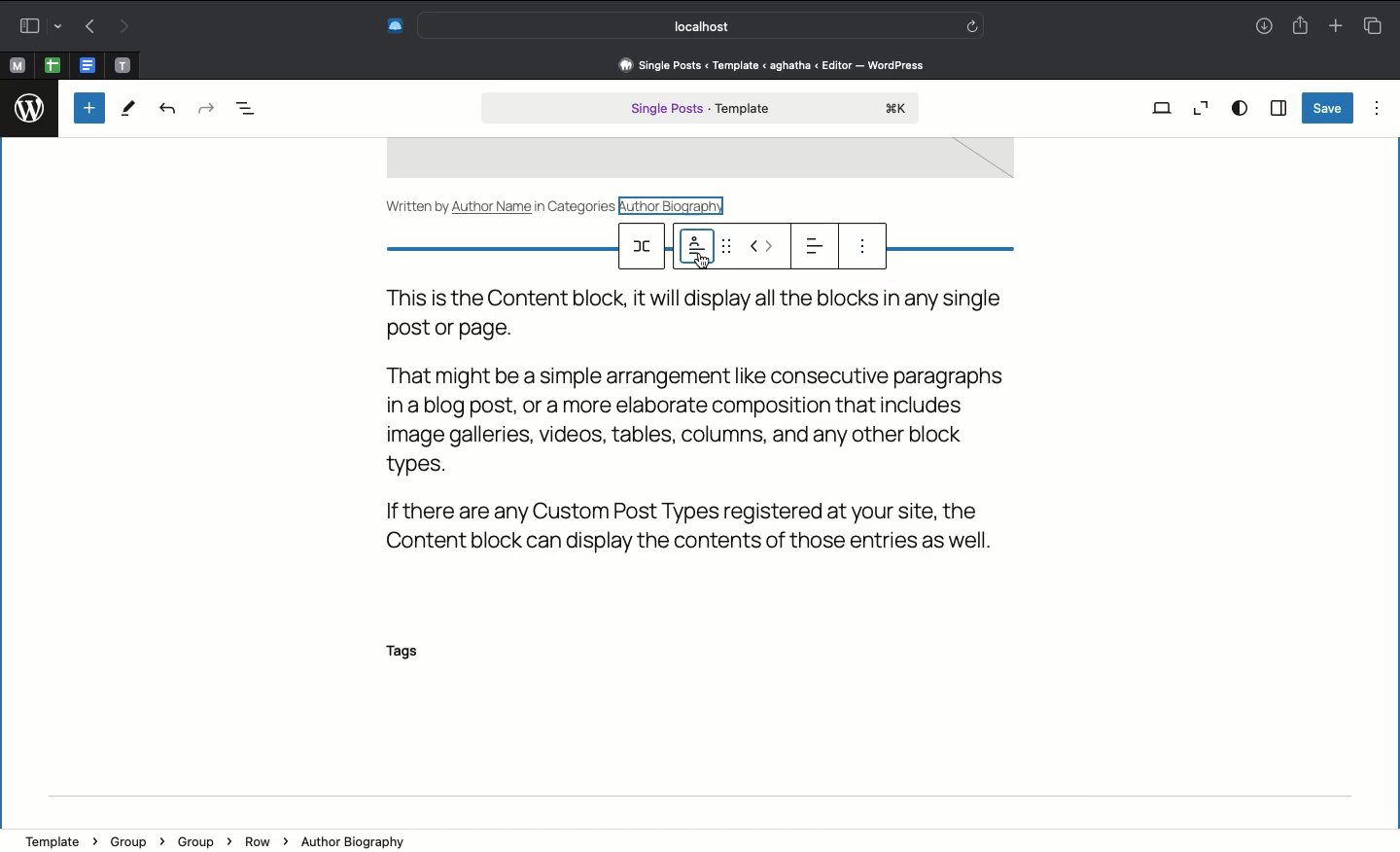 The width and height of the screenshot is (1400, 852). What do you see at coordinates (862, 250) in the screenshot?
I see `Options` at bounding box center [862, 250].